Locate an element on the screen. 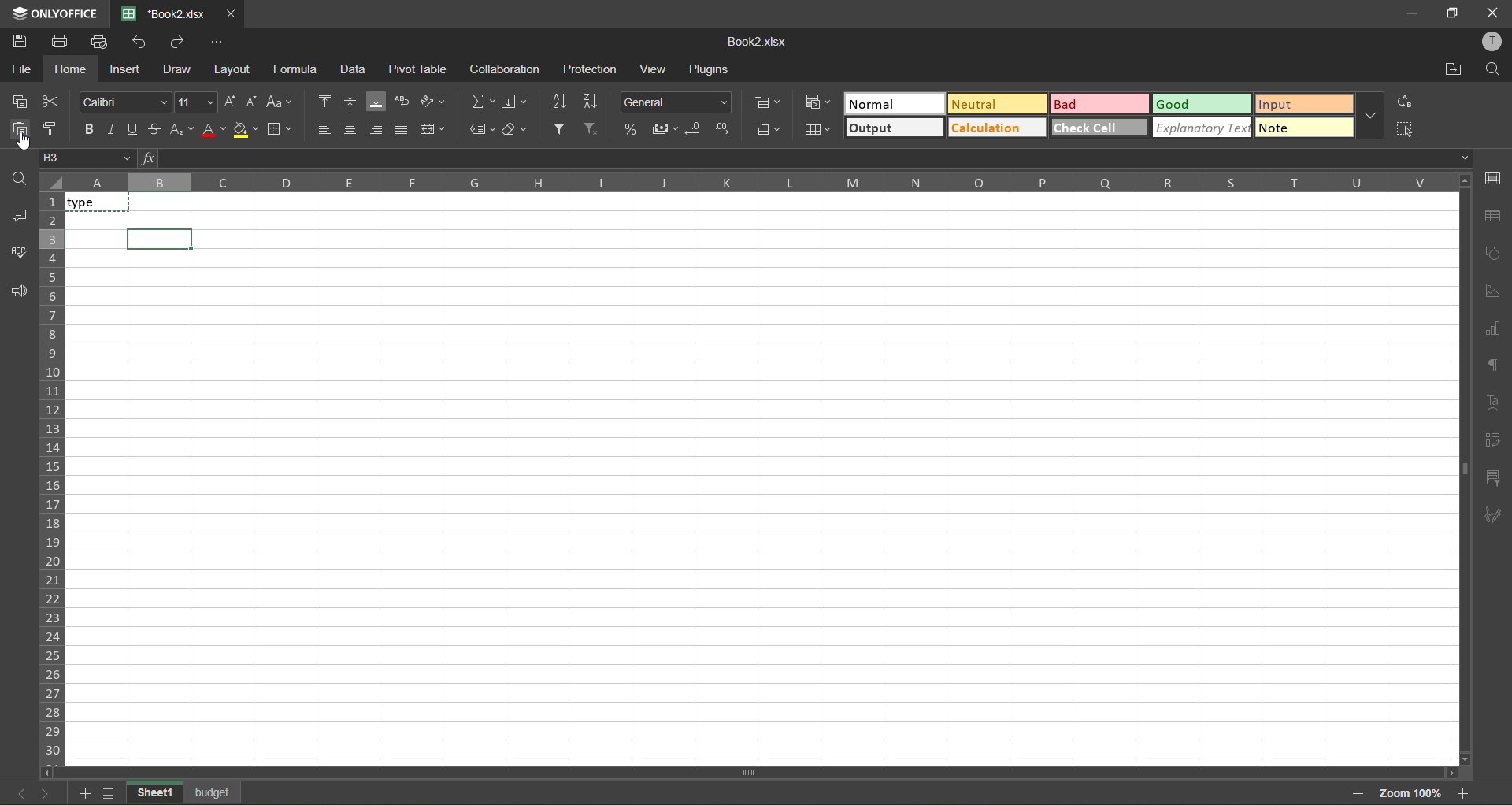 The image size is (1512, 805). more options is located at coordinates (1369, 116).